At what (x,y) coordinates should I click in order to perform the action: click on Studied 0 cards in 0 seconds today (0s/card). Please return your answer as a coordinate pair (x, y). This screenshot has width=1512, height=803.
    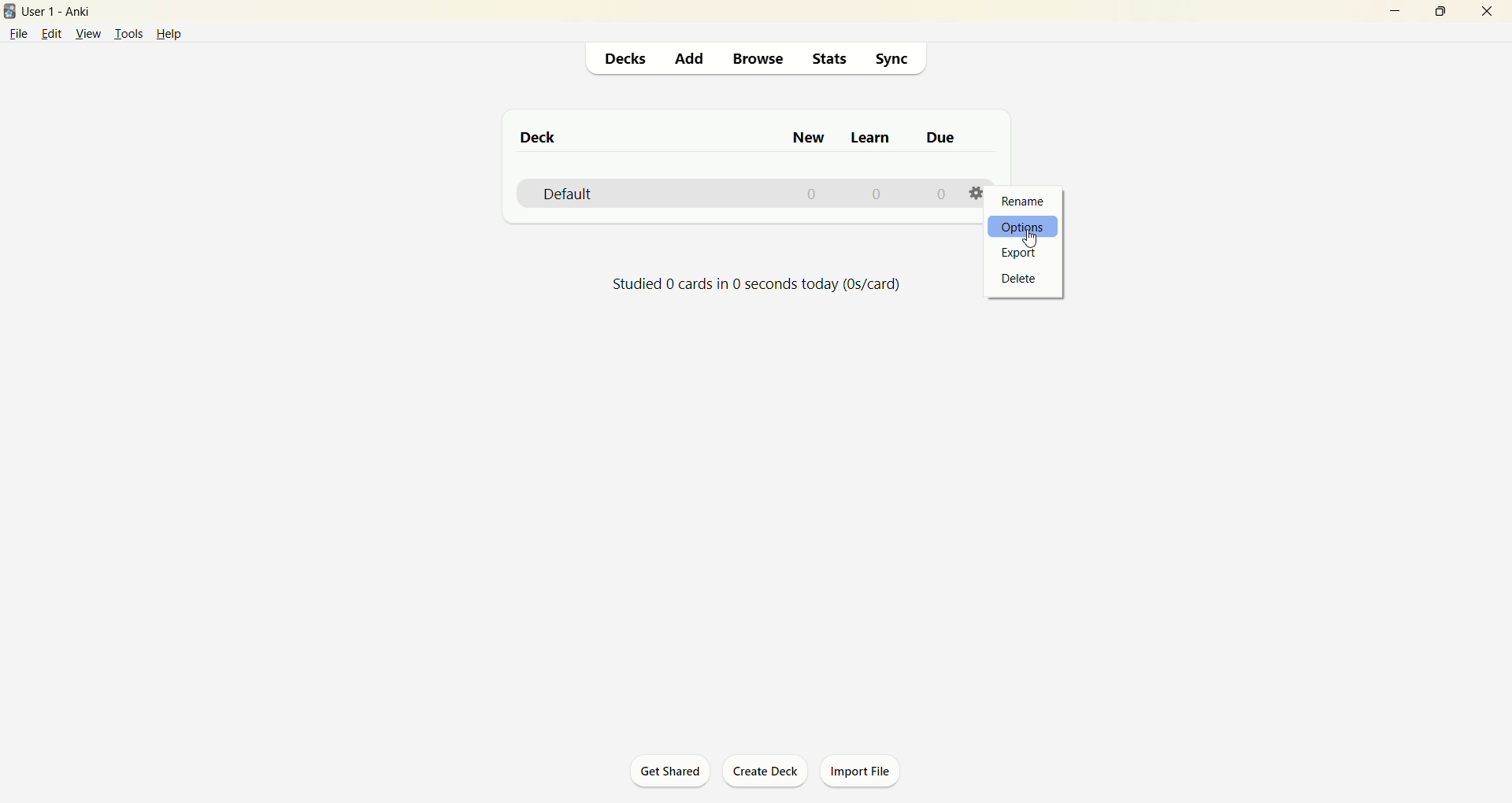
    Looking at the image, I should click on (758, 285).